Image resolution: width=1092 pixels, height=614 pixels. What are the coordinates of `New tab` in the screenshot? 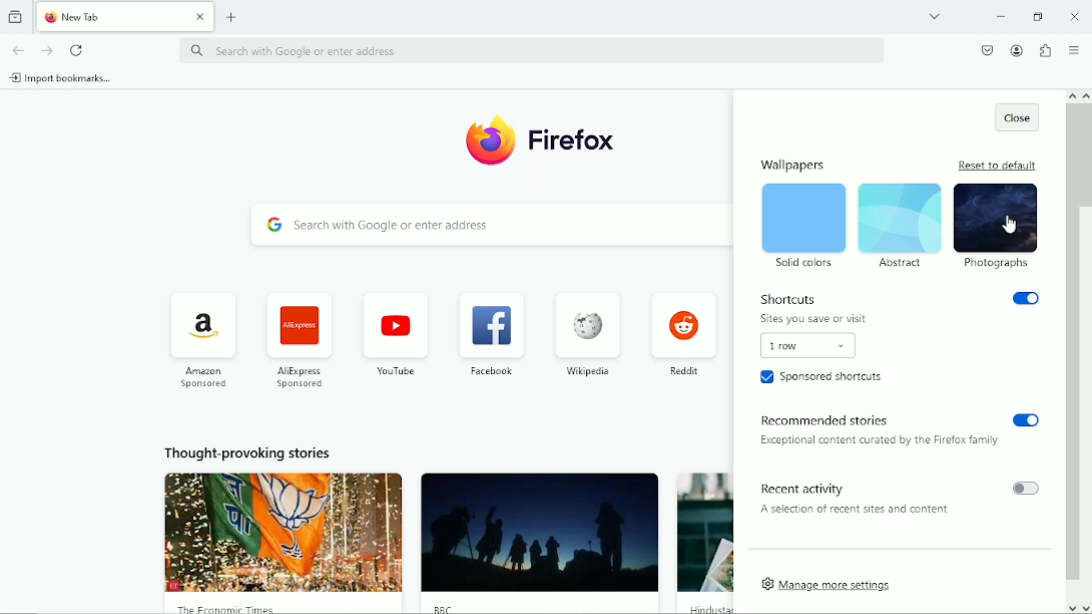 It's located at (233, 17).